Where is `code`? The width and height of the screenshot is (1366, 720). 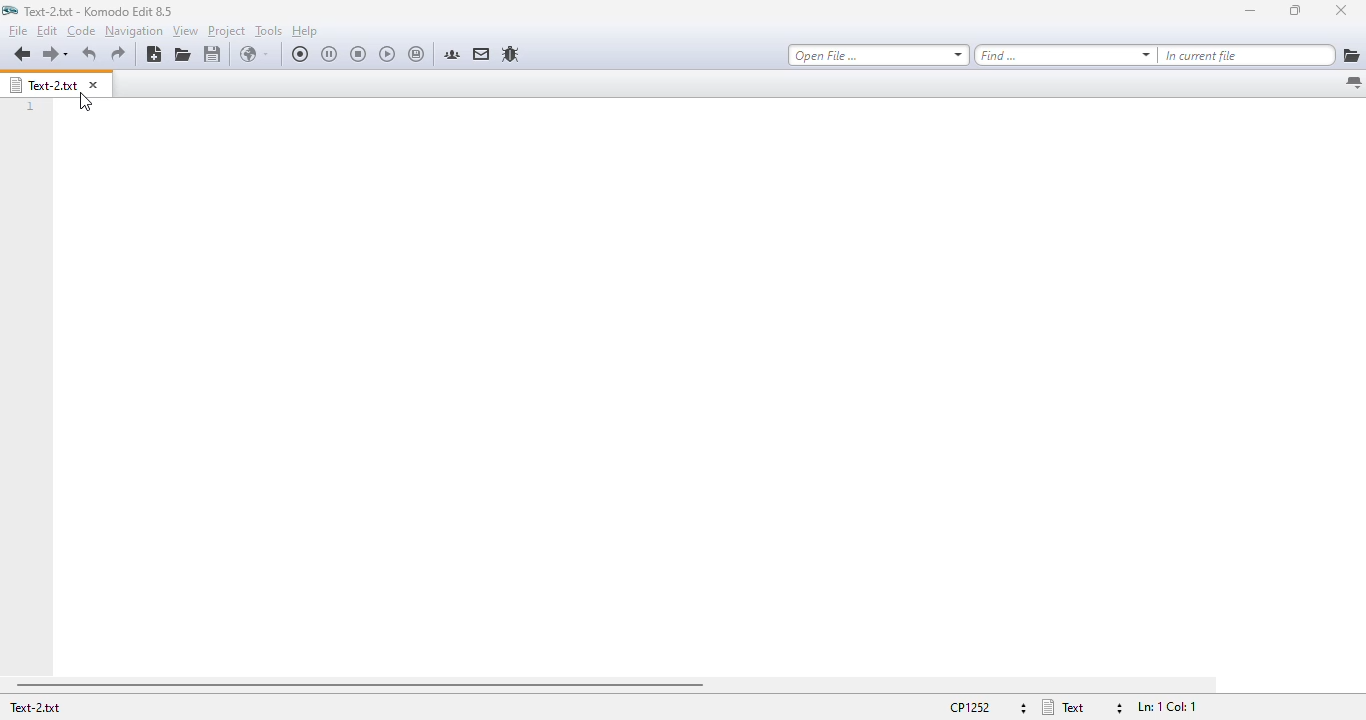
code is located at coordinates (81, 31).